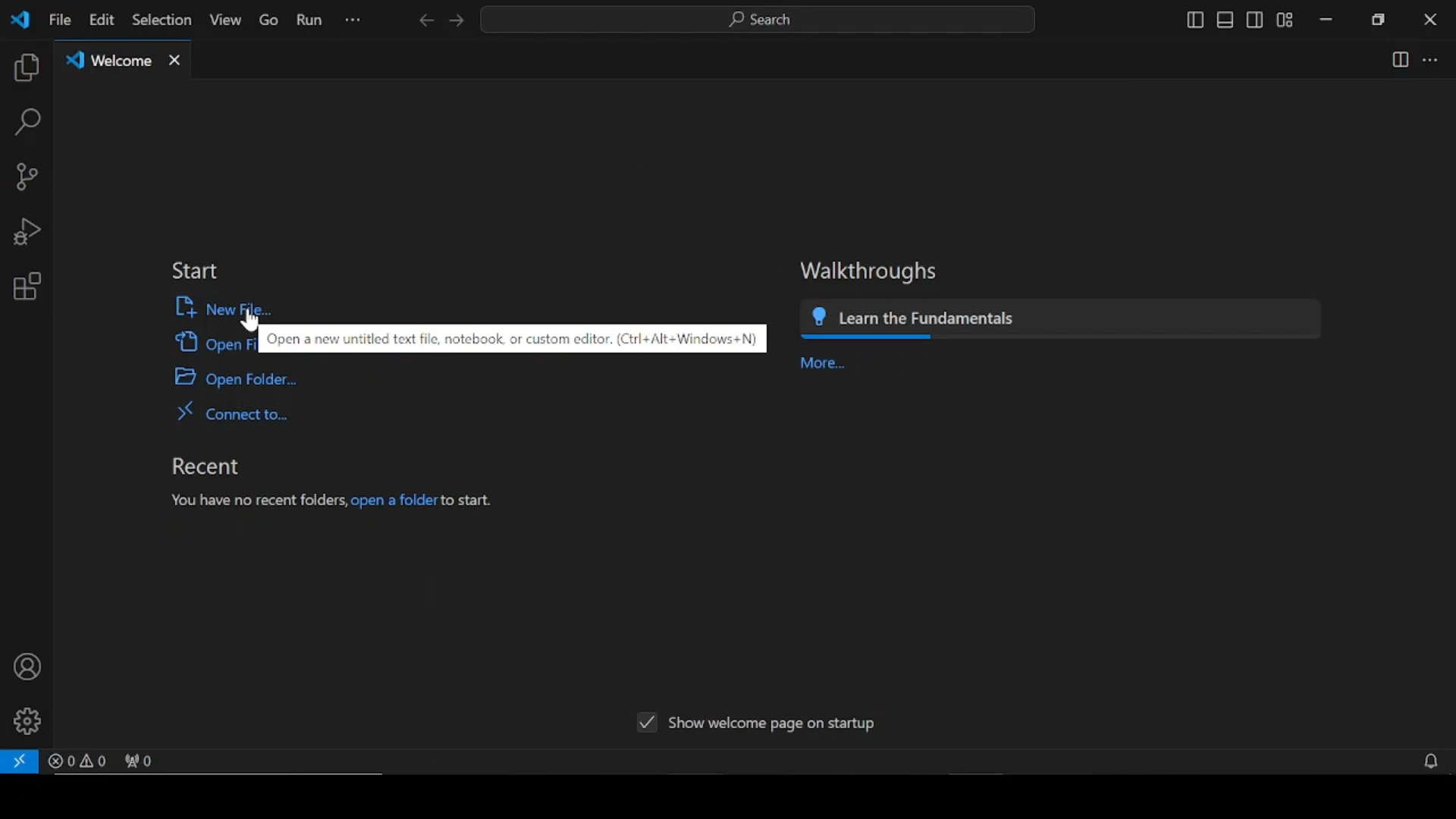 This screenshot has height=819, width=1456. Describe the element at coordinates (124, 60) in the screenshot. I see `welcome tab` at that location.